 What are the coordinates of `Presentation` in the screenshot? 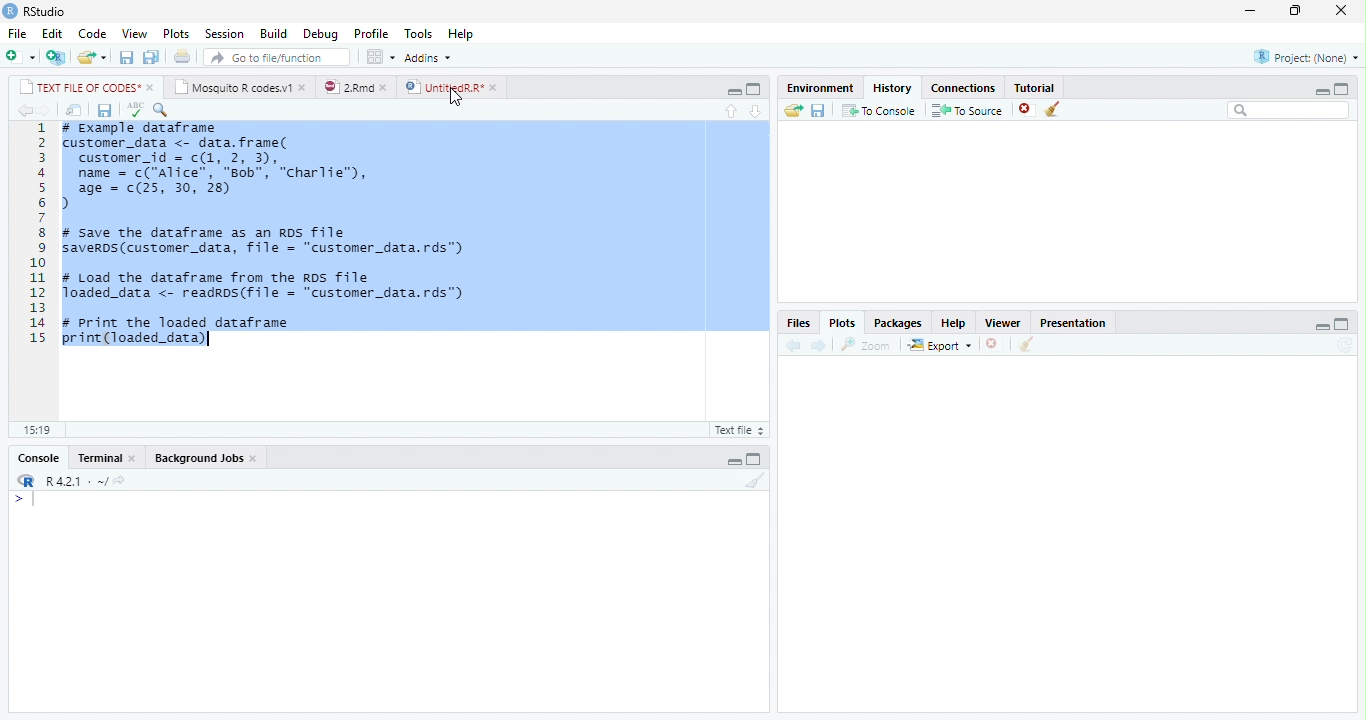 It's located at (1072, 322).